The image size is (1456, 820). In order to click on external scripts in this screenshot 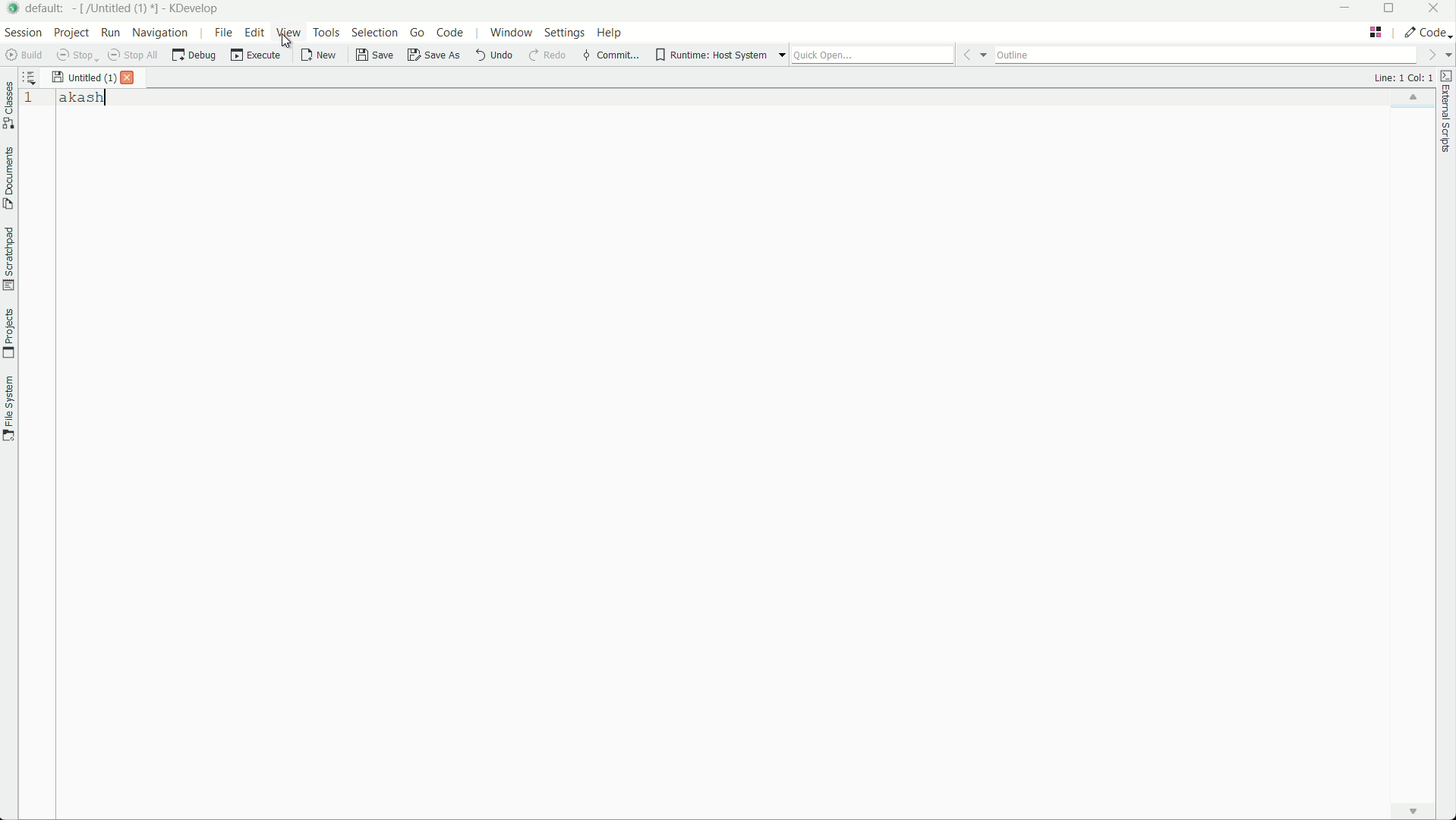, I will do `click(1447, 110)`.